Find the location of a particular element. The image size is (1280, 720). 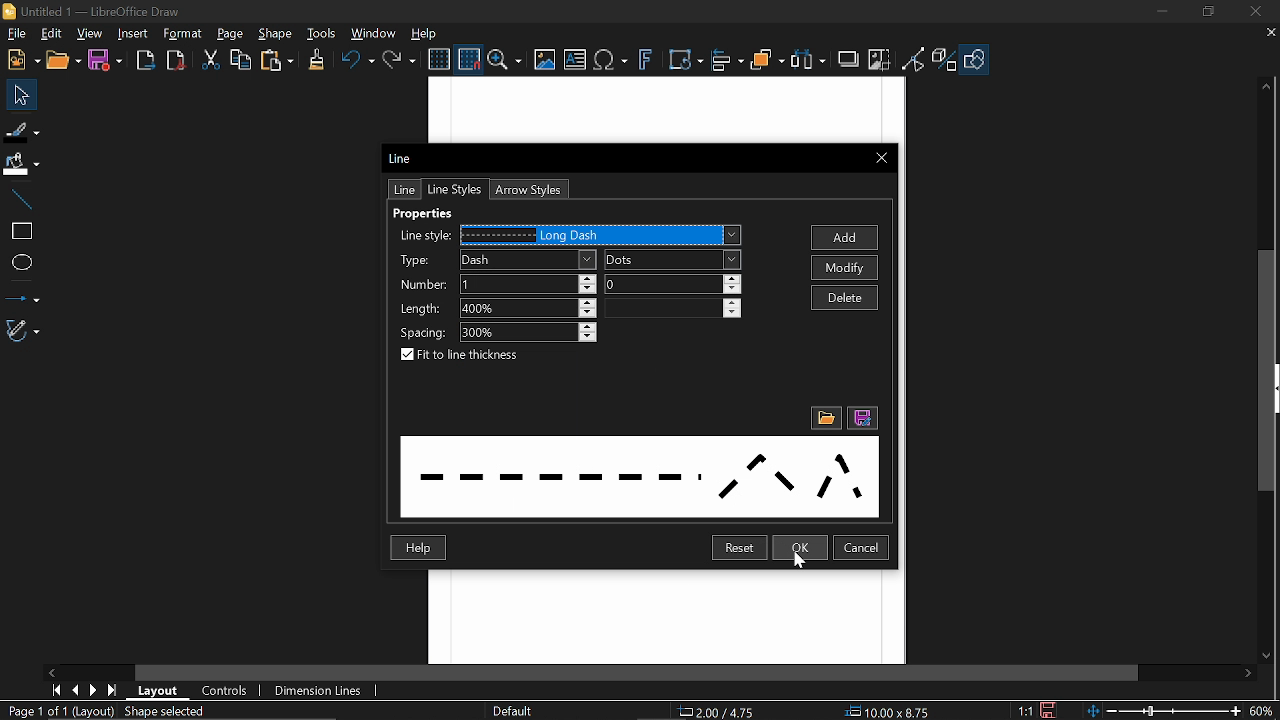

CLone is located at coordinates (318, 58).